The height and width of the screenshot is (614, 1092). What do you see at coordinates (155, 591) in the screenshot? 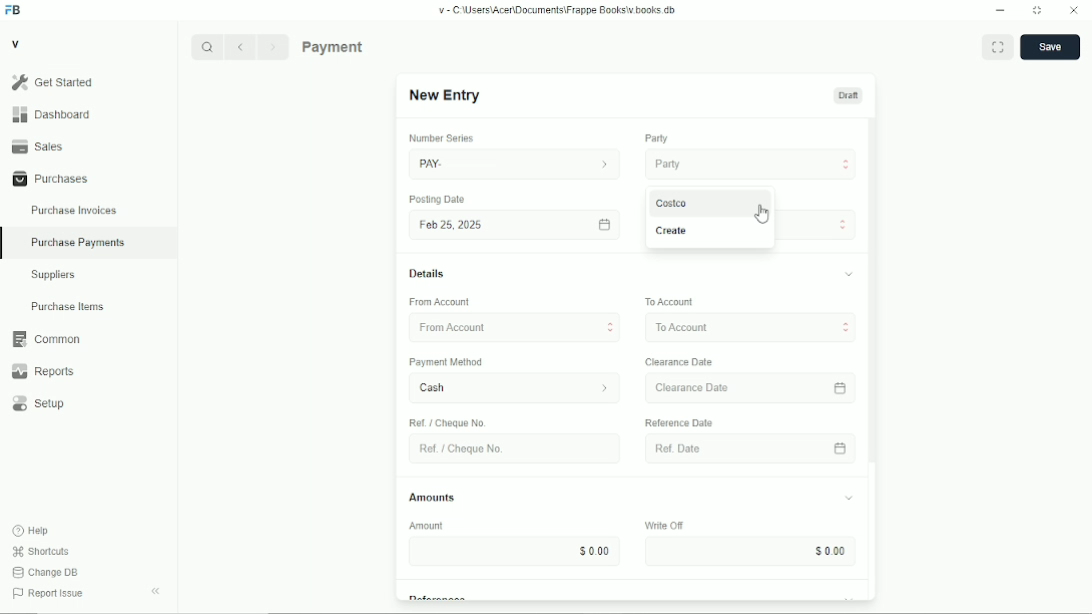
I see `Collapse` at bounding box center [155, 591].